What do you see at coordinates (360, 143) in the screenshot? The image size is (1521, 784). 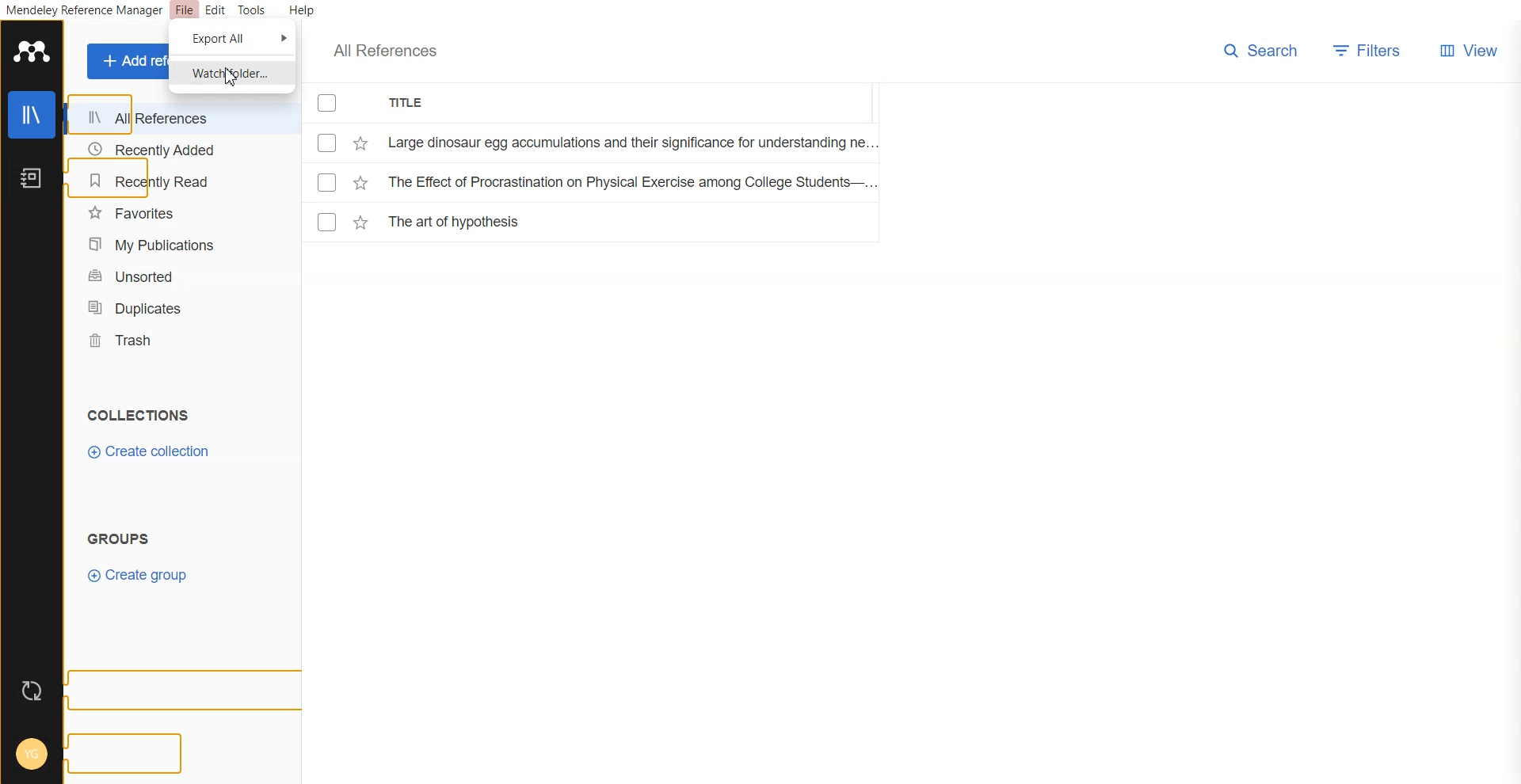 I see `Starred` at bounding box center [360, 143].